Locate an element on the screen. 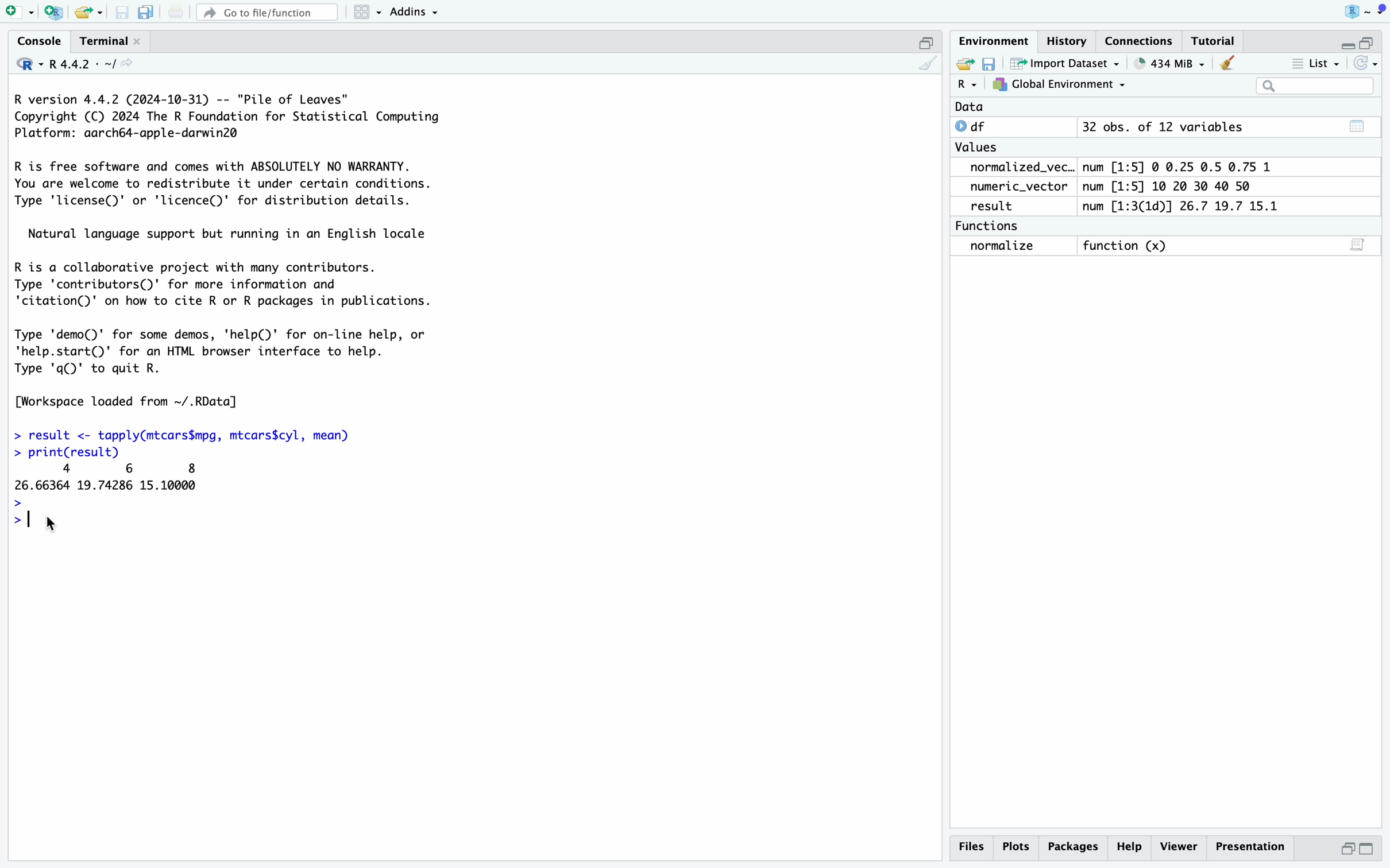 The height and width of the screenshot is (868, 1390). Values is located at coordinates (976, 148).